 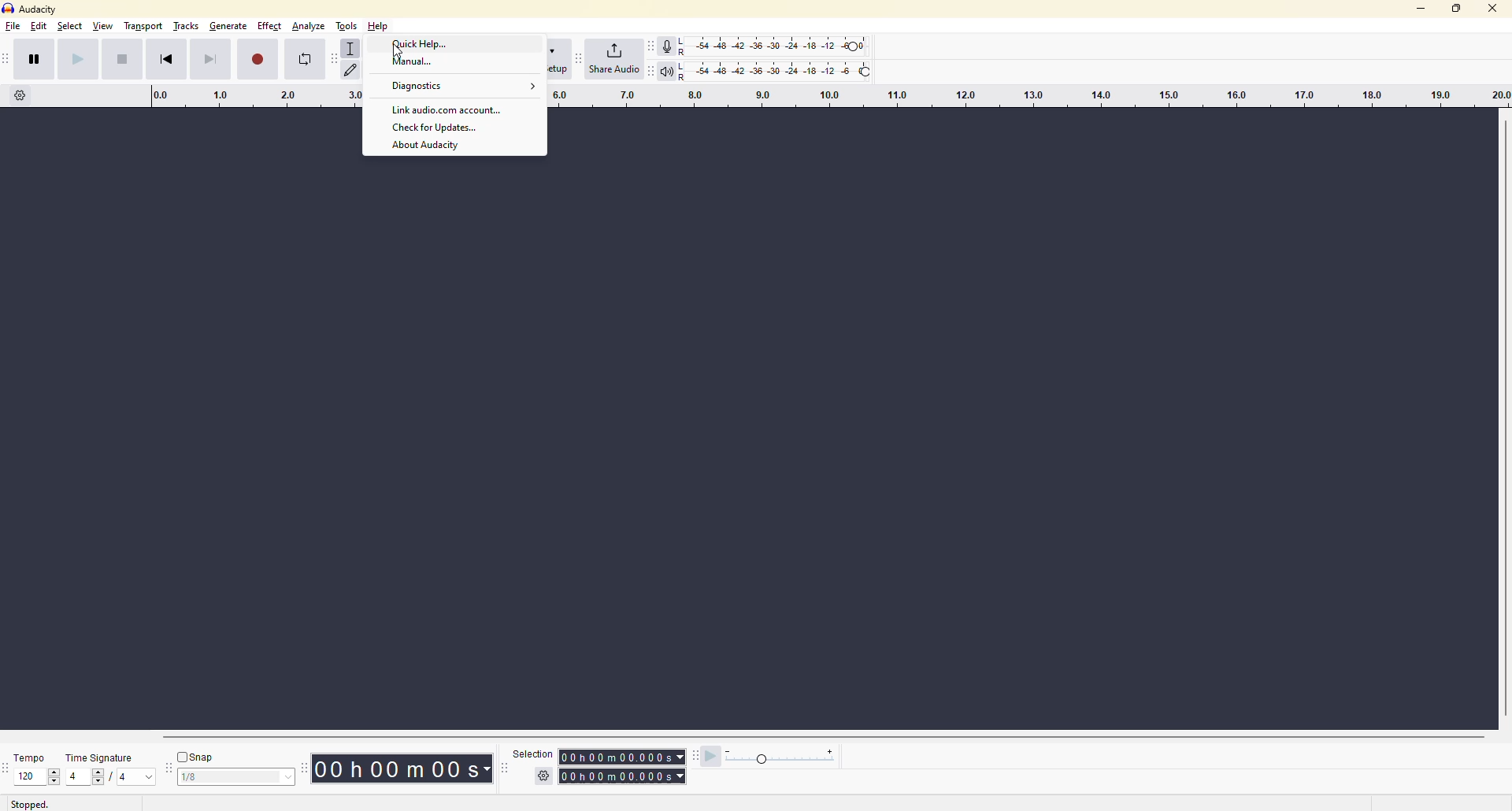 I want to click on snap, so click(x=191, y=755).